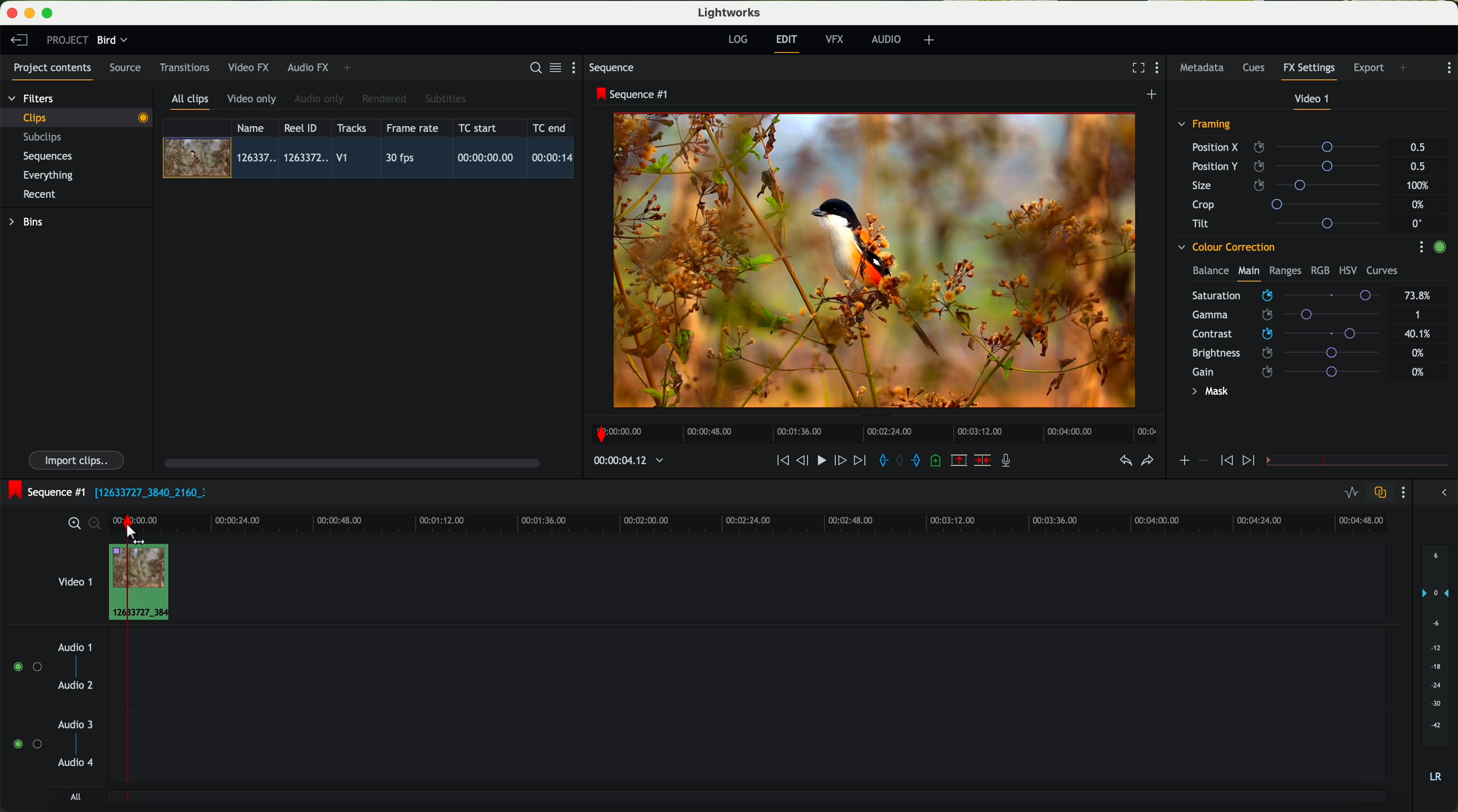 The width and height of the screenshot is (1458, 812). What do you see at coordinates (372, 160) in the screenshot?
I see `click on video` at bounding box center [372, 160].